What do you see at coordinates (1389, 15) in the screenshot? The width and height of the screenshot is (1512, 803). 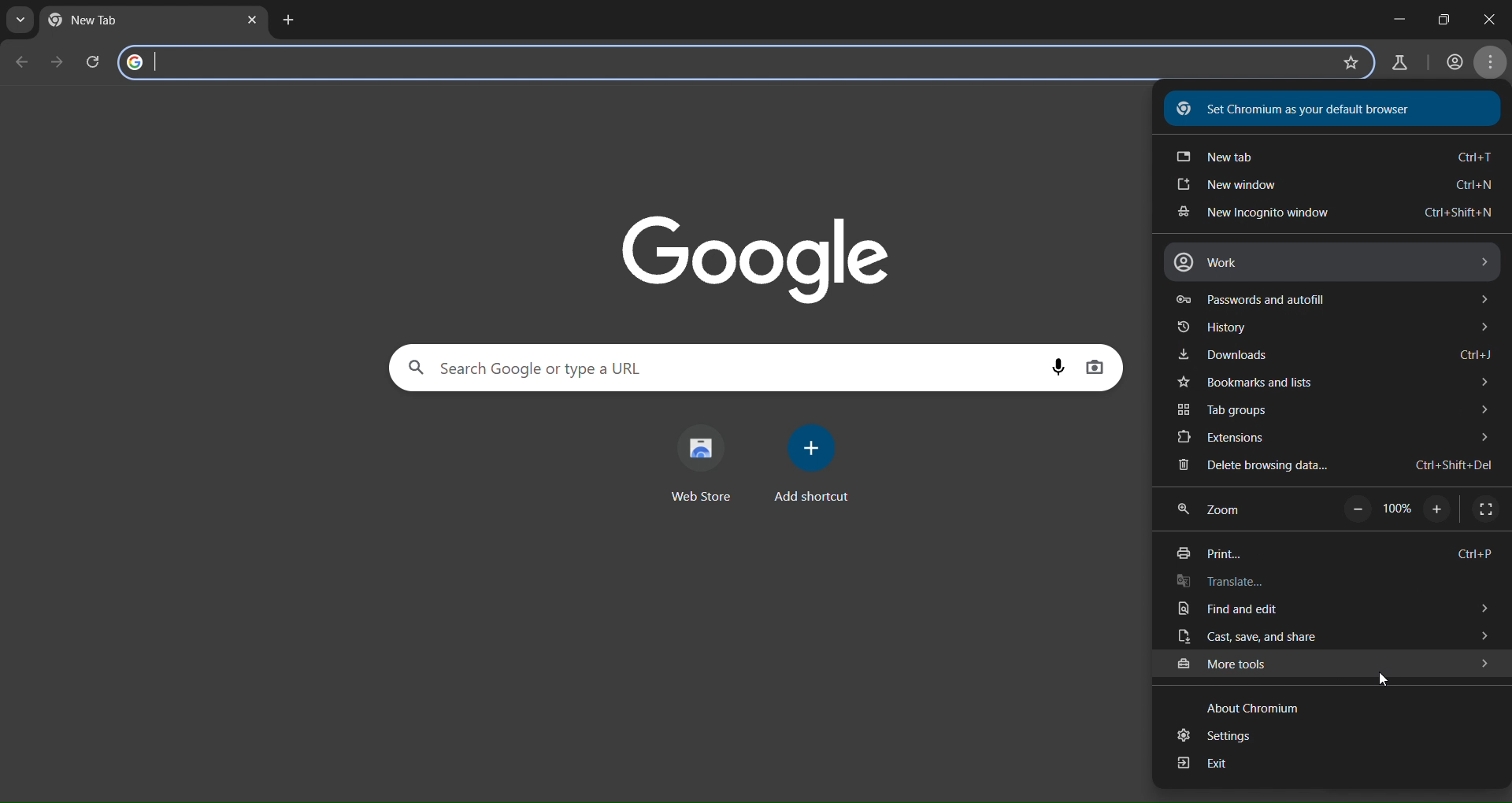 I see `minimize` at bounding box center [1389, 15].